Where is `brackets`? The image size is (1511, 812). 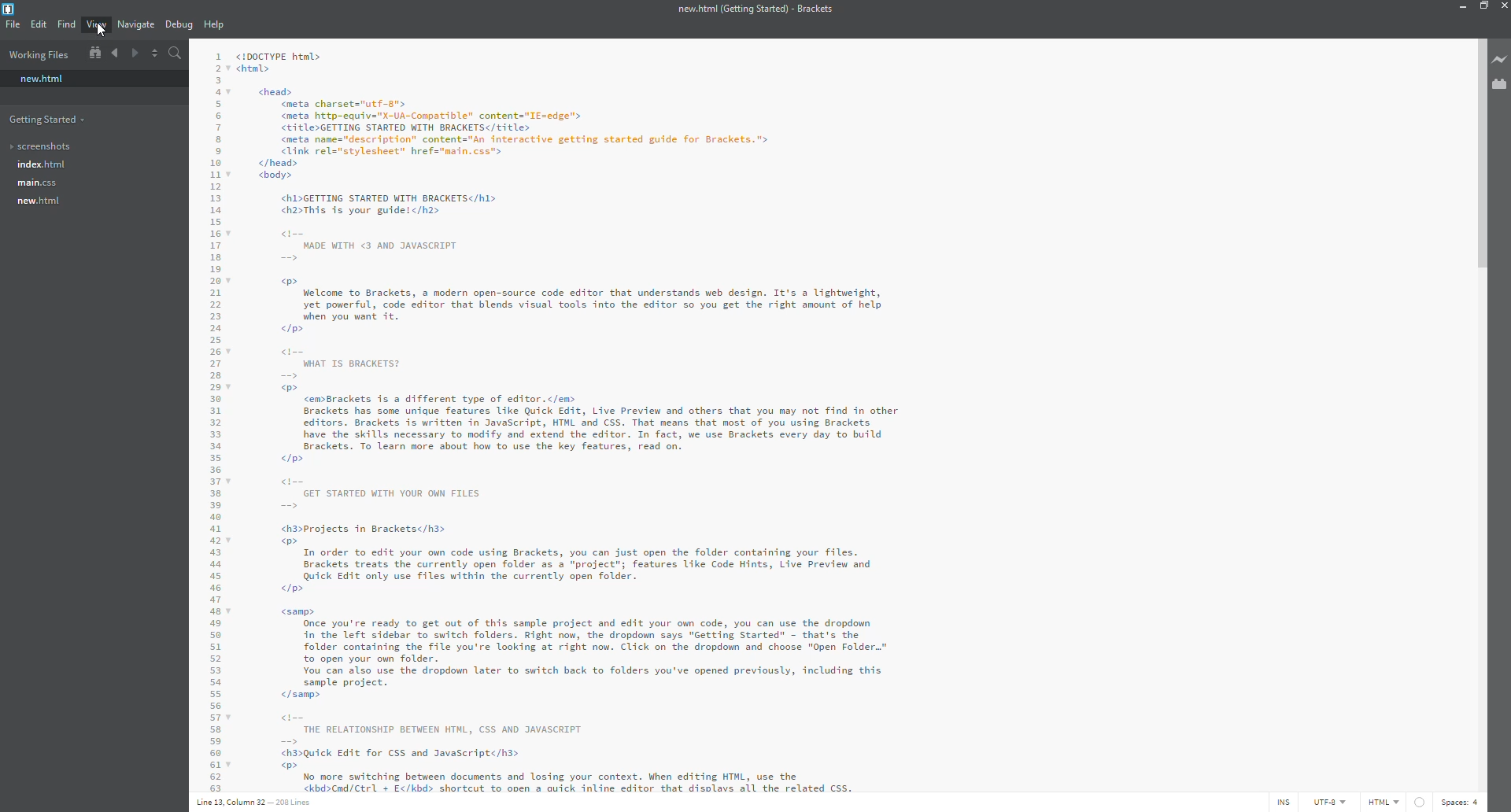
brackets is located at coordinates (12, 9).